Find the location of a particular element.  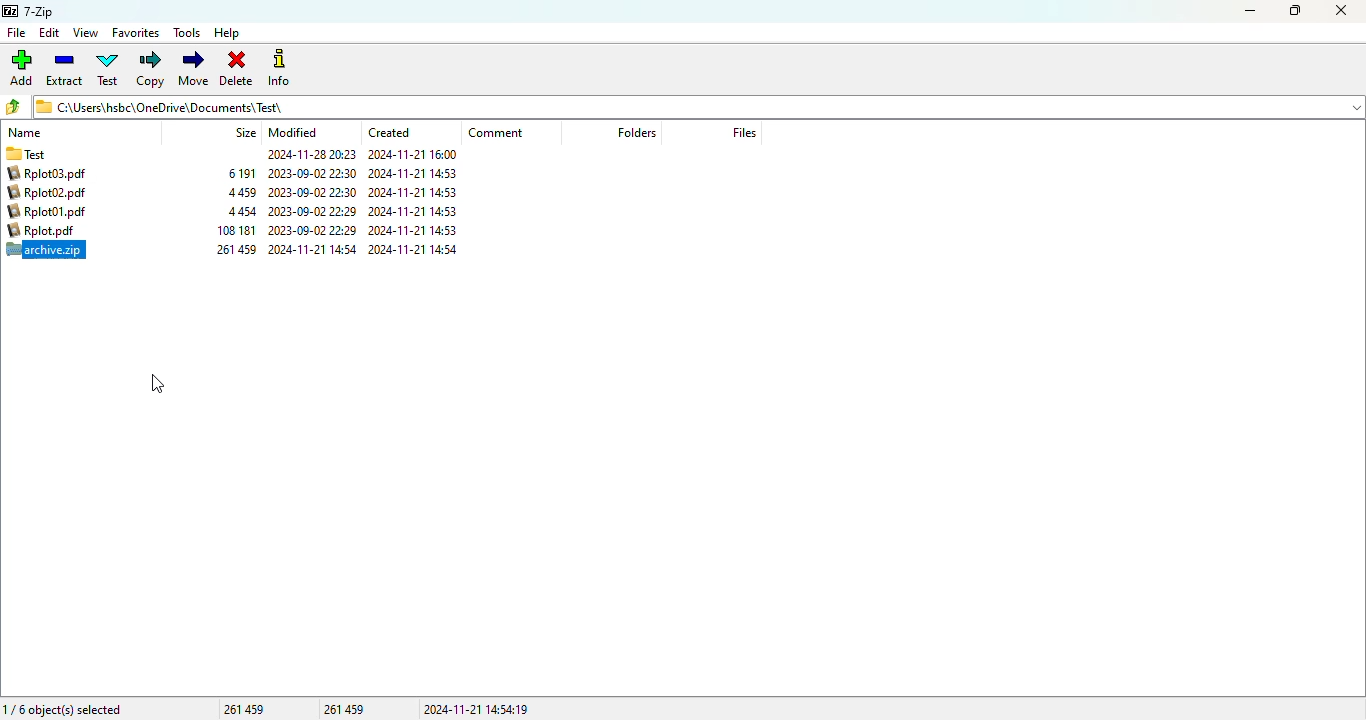

move is located at coordinates (194, 68).